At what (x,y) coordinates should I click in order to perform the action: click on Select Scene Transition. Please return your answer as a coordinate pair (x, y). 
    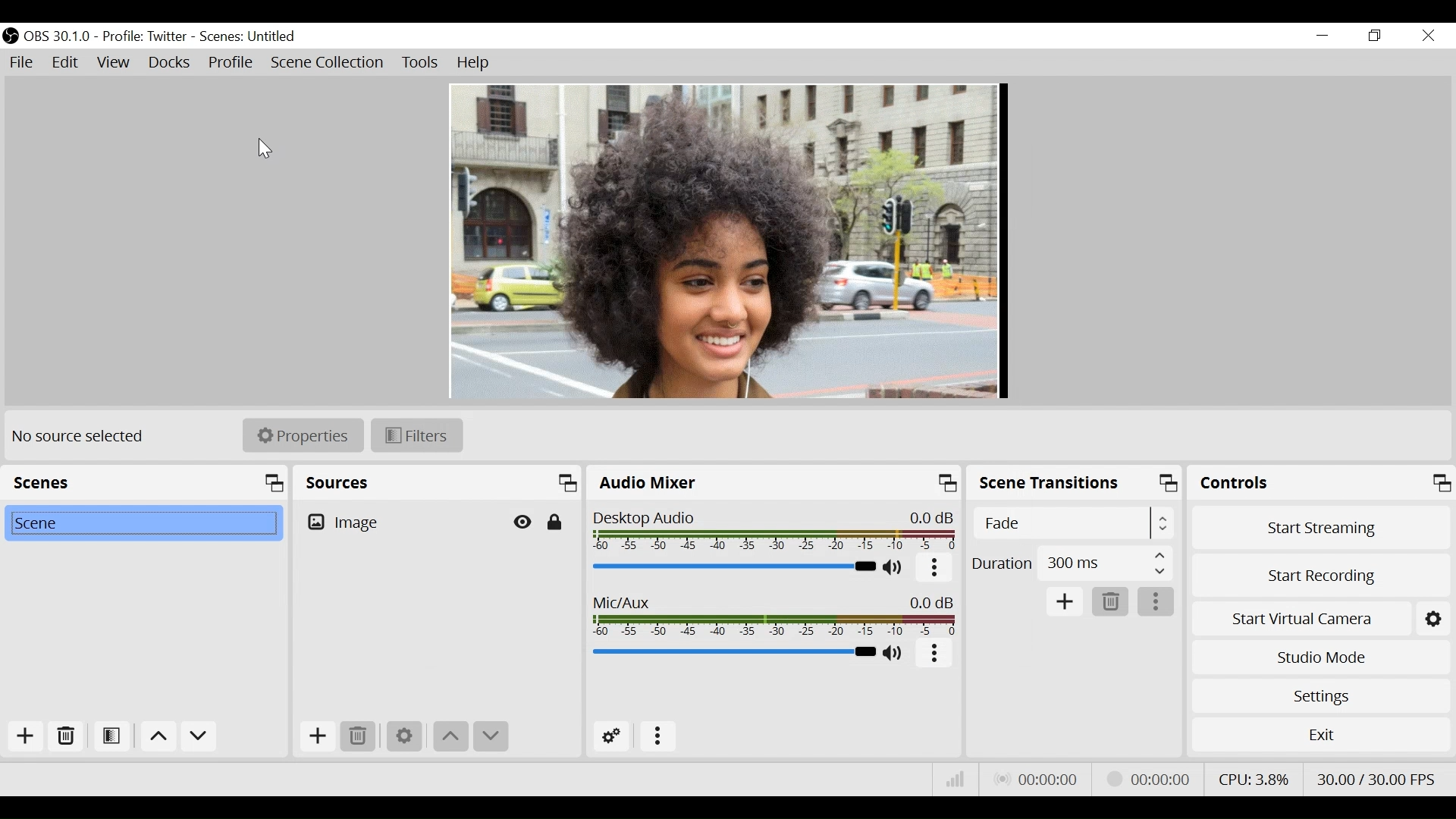
    Looking at the image, I should click on (1076, 522).